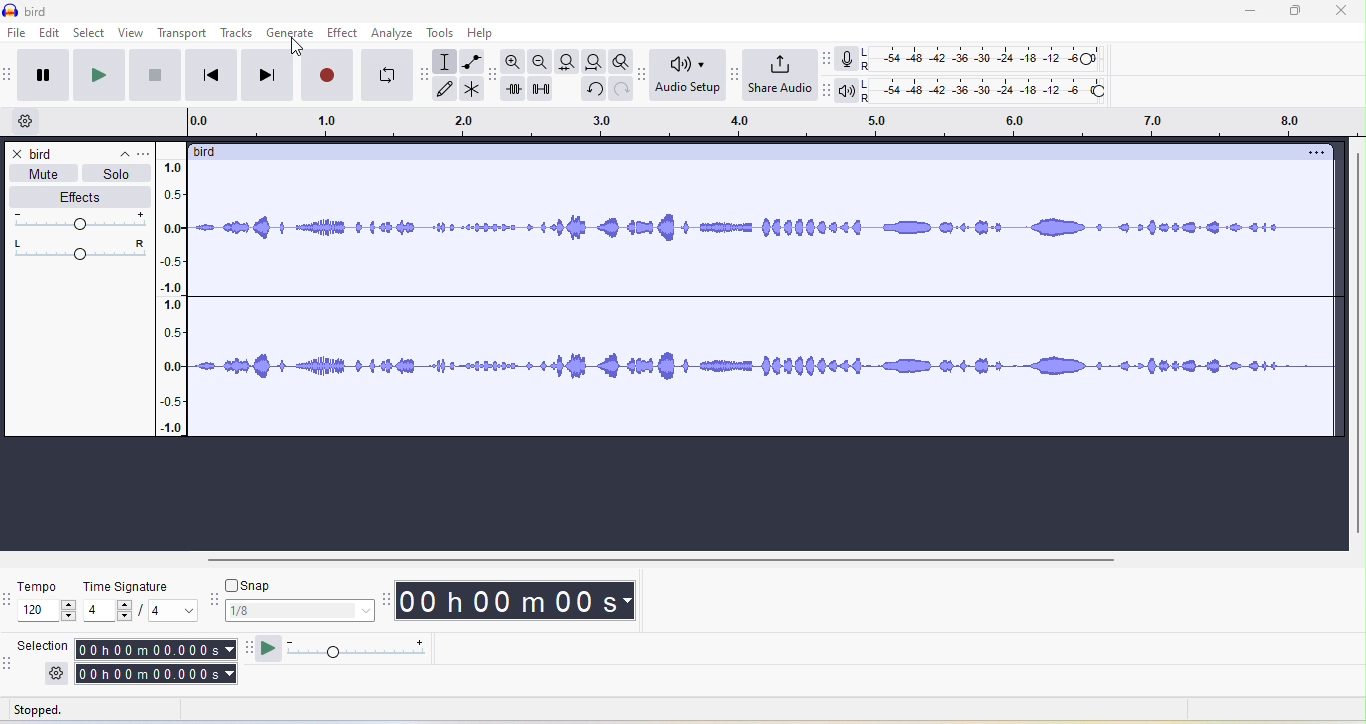 The width and height of the screenshot is (1366, 724). Describe the element at coordinates (324, 77) in the screenshot. I see `record` at that location.